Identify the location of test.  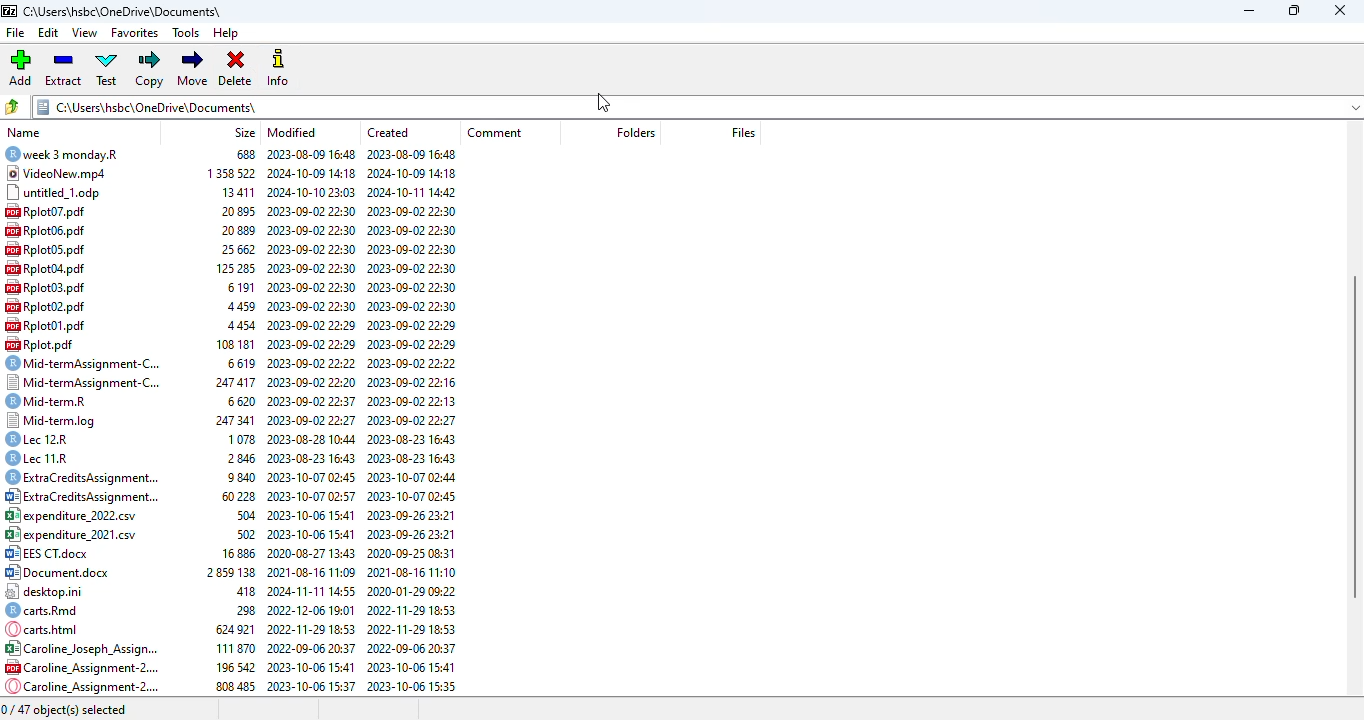
(106, 68).